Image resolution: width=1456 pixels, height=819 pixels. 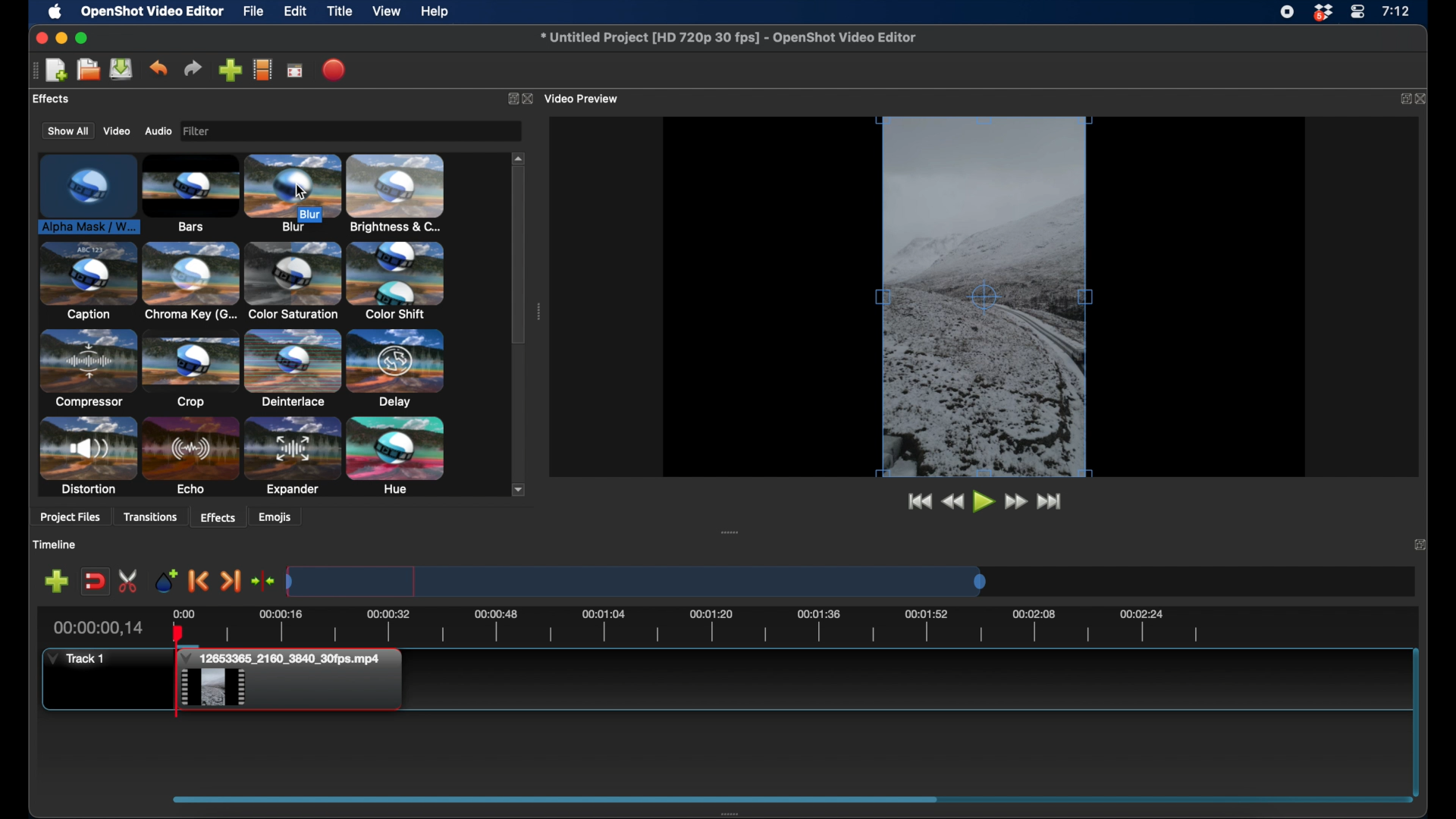 What do you see at coordinates (293, 192) in the screenshot?
I see `blur` at bounding box center [293, 192].